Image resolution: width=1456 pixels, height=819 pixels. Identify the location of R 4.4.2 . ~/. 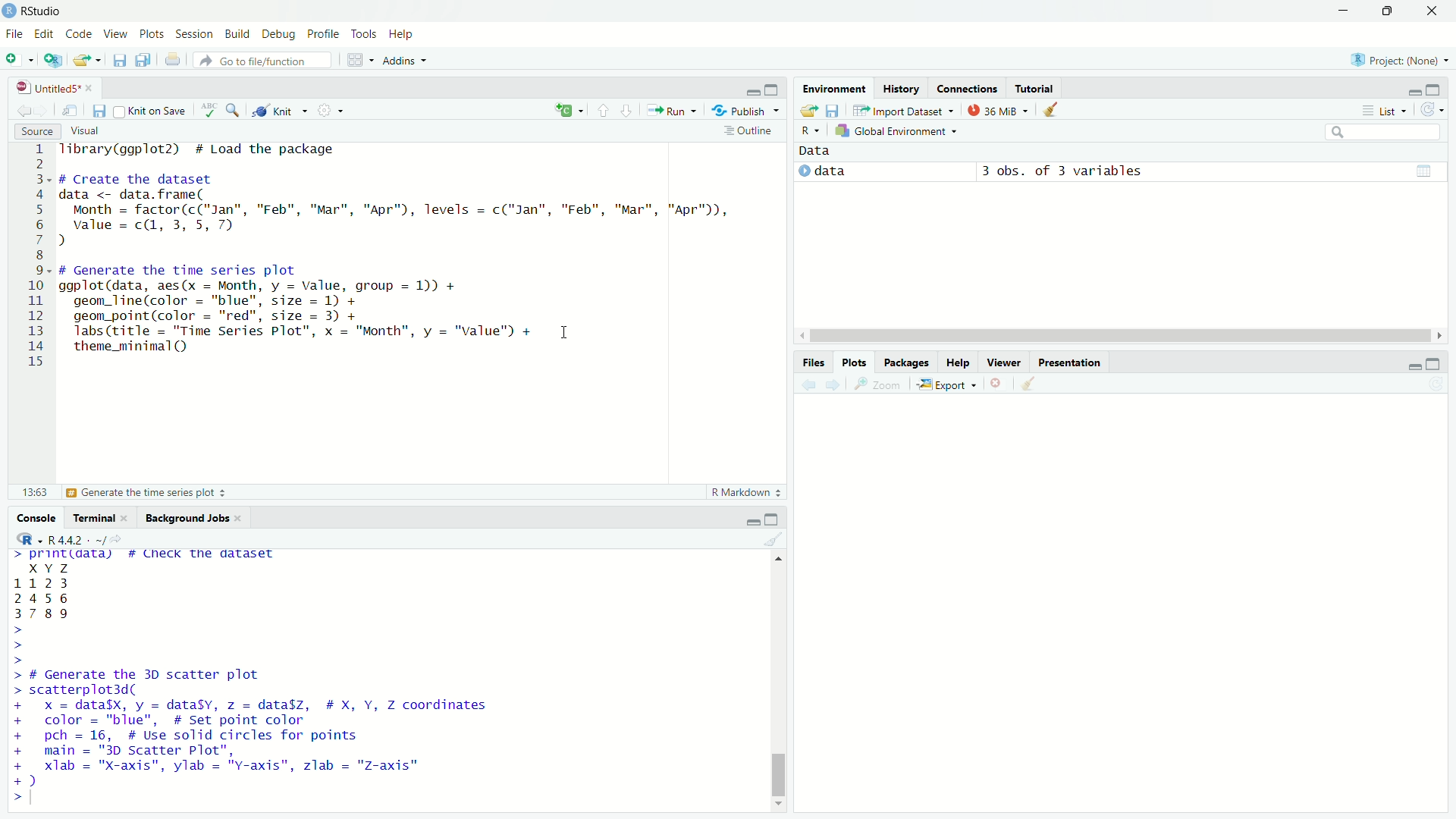
(67, 538).